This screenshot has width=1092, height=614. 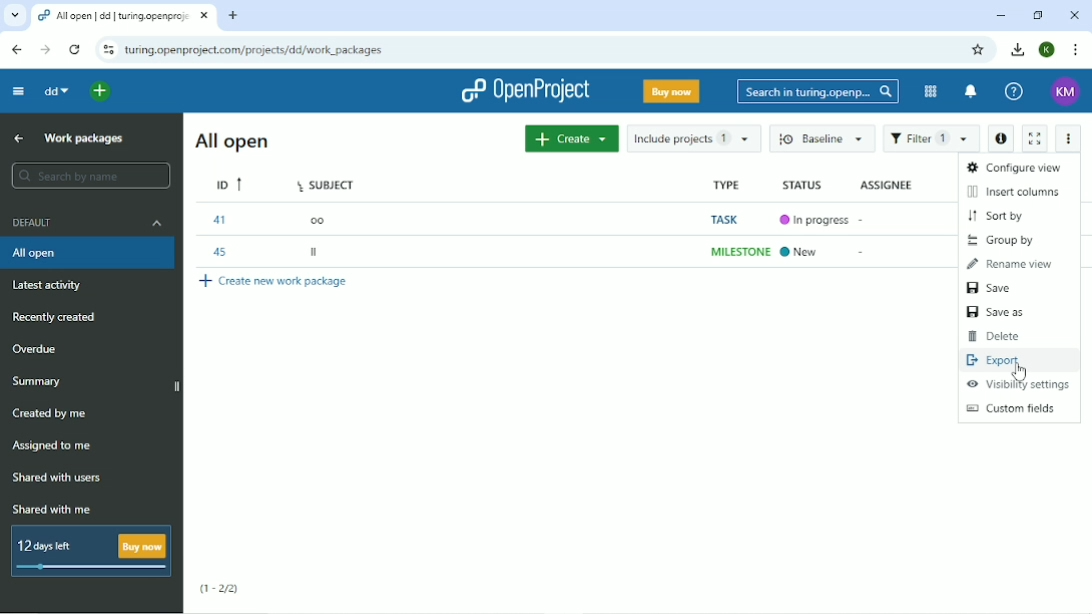 I want to click on K, so click(x=1047, y=50).